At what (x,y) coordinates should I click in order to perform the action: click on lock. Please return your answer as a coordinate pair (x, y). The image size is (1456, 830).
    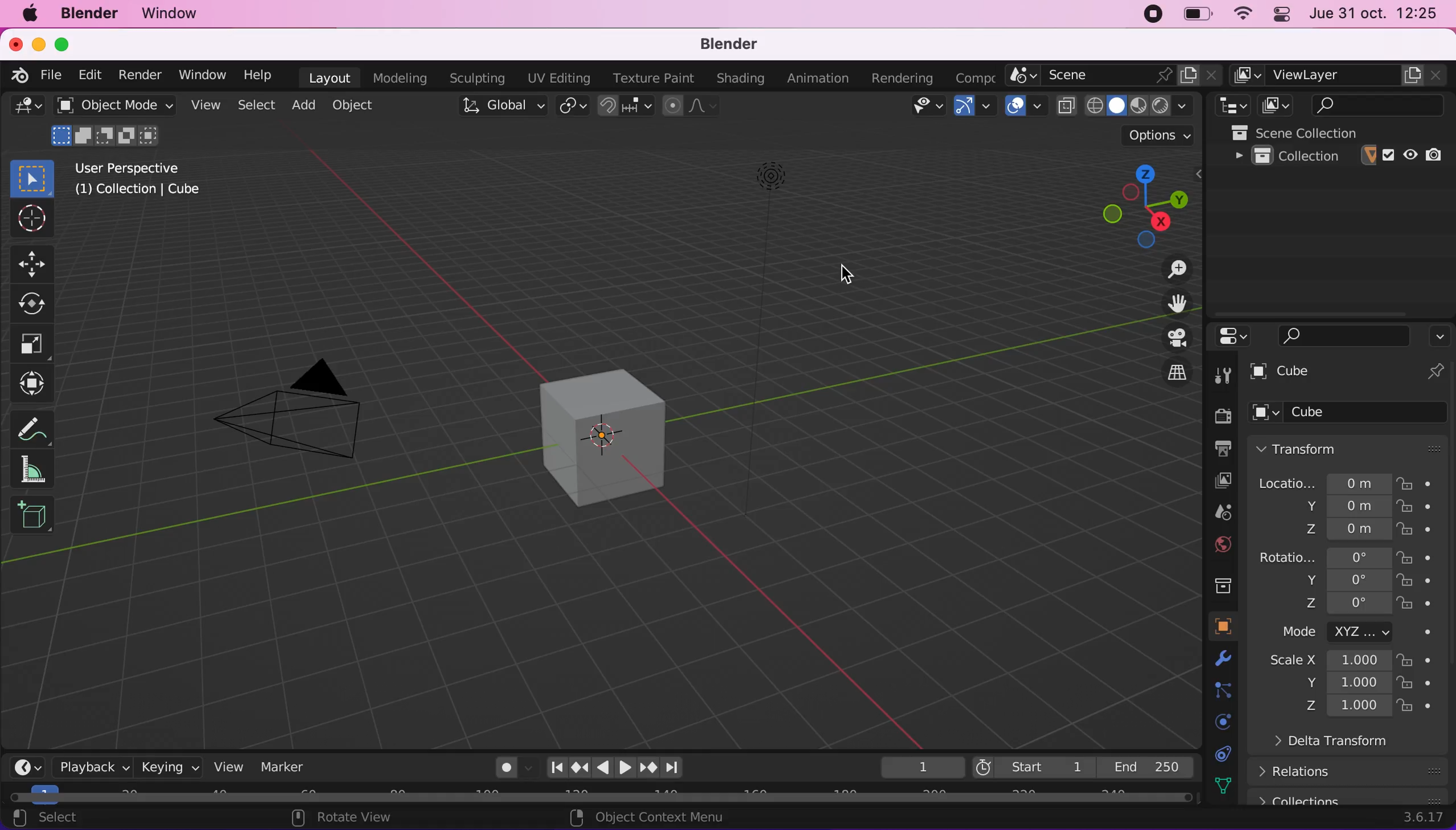
    Looking at the image, I should click on (1427, 707).